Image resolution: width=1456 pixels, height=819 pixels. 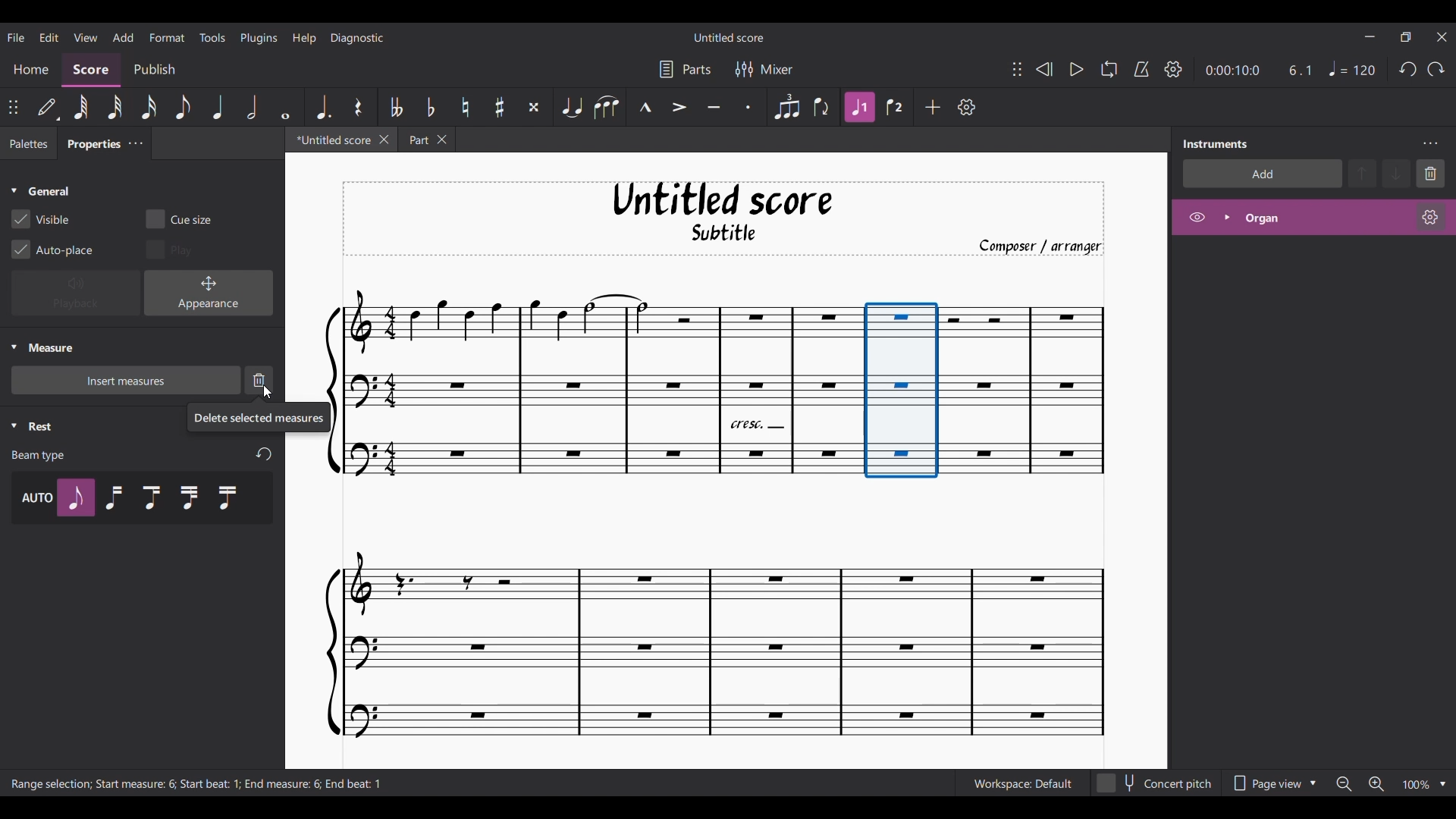 What do you see at coordinates (1270, 783) in the screenshot?
I see `Page view options` at bounding box center [1270, 783].